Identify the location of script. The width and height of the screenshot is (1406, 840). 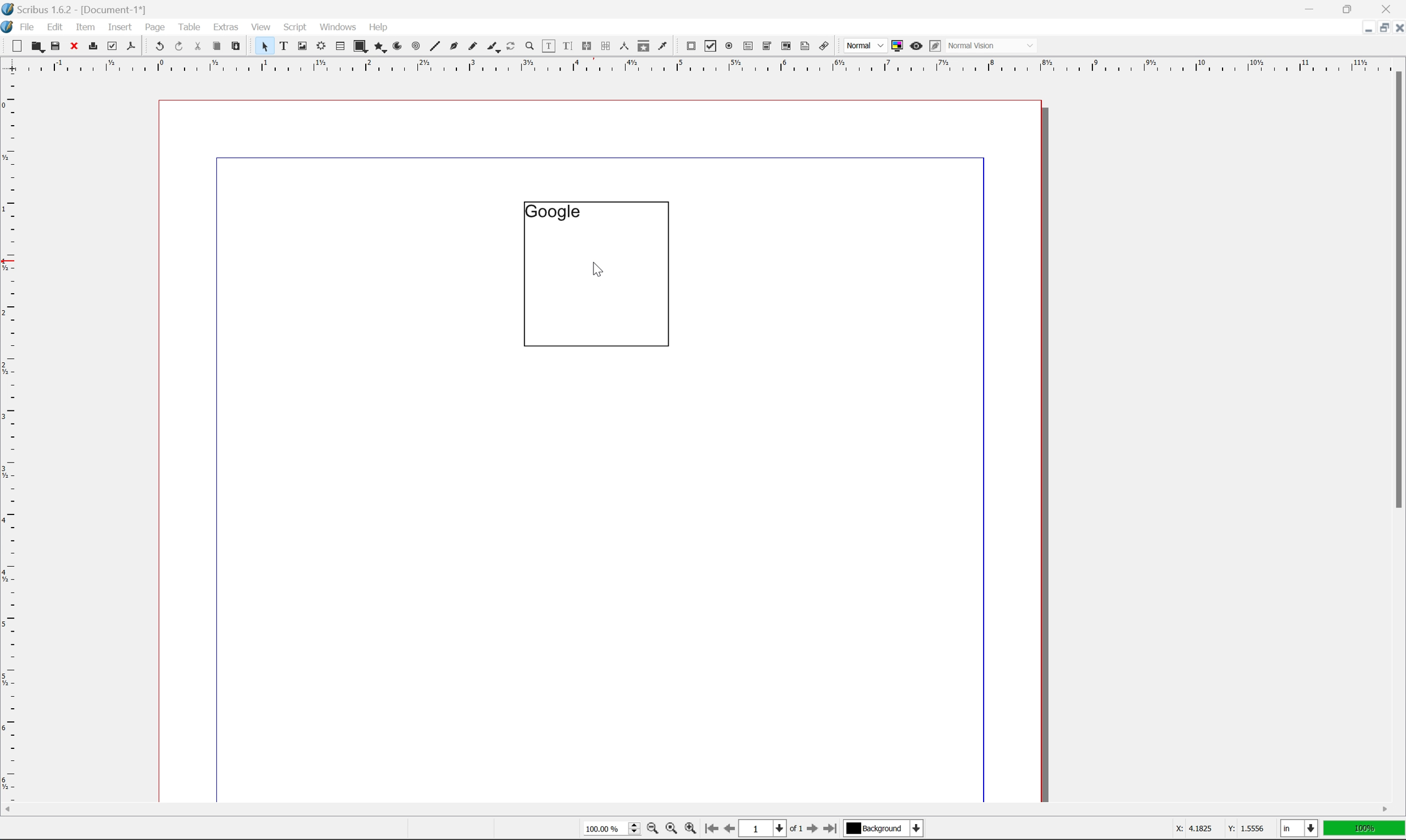
(295, 27).